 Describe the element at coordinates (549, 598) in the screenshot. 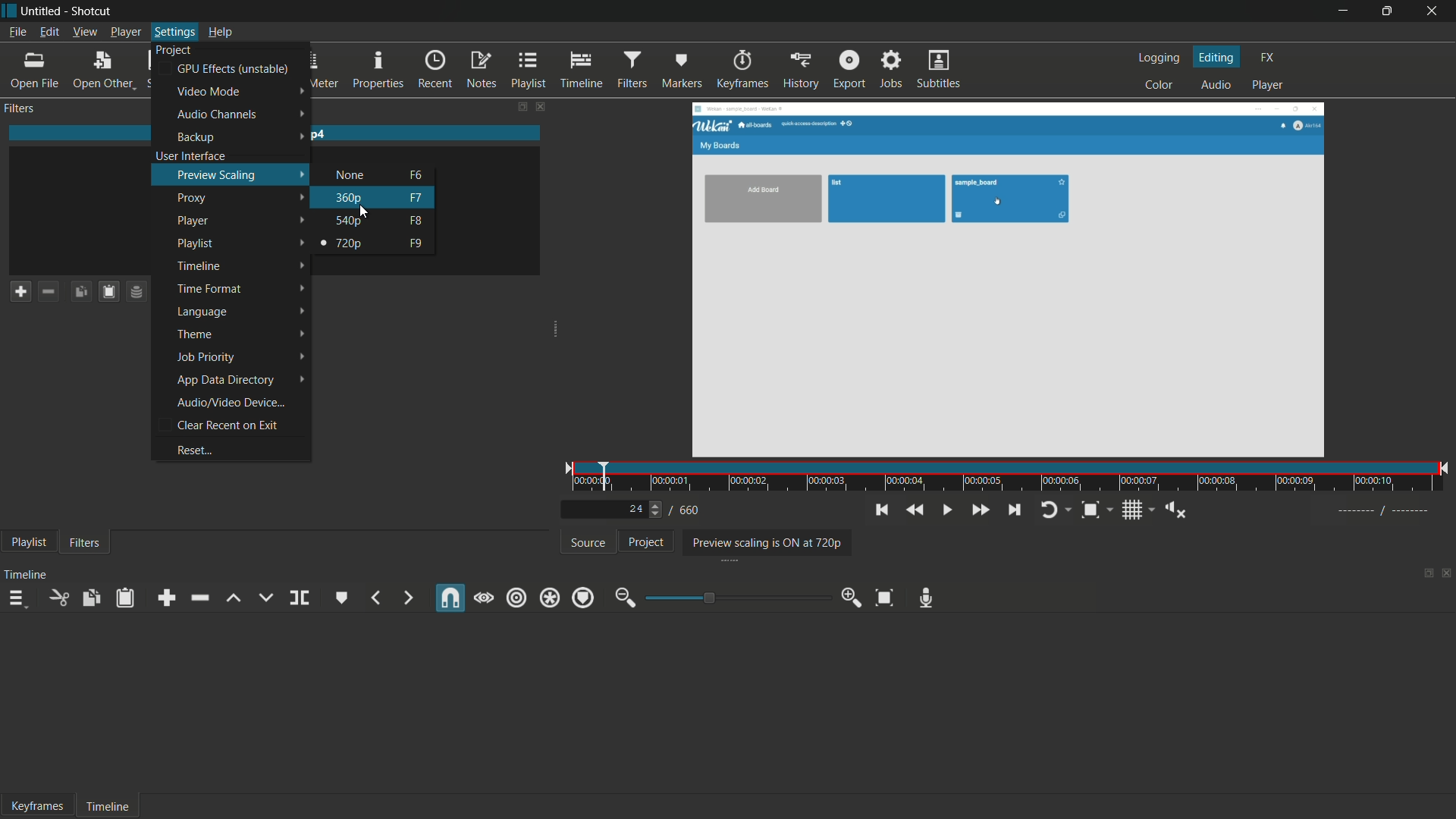

I see `ripple all tracks` at that location.